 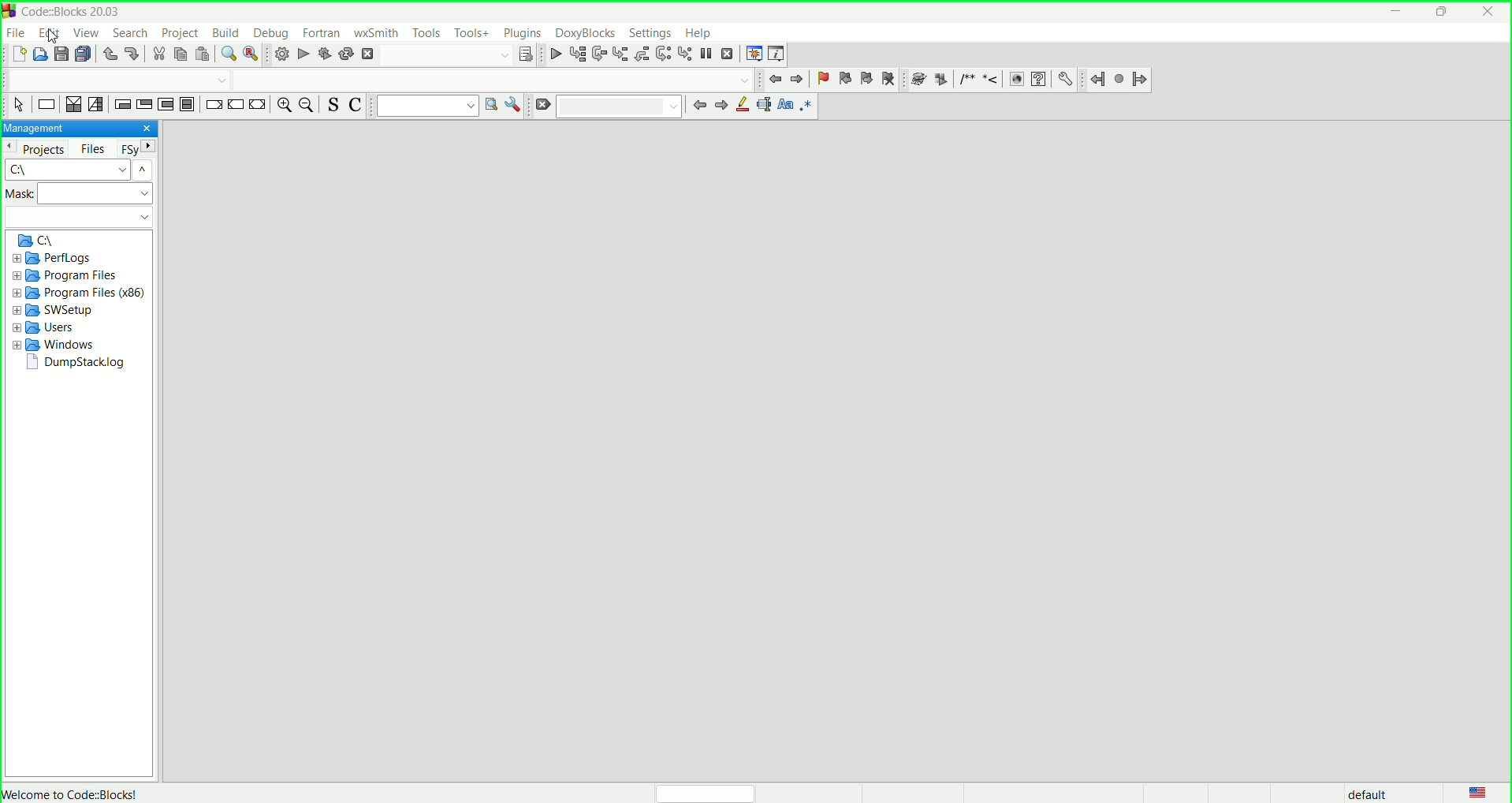 I want to click on program files, so click(x=65, y=275).